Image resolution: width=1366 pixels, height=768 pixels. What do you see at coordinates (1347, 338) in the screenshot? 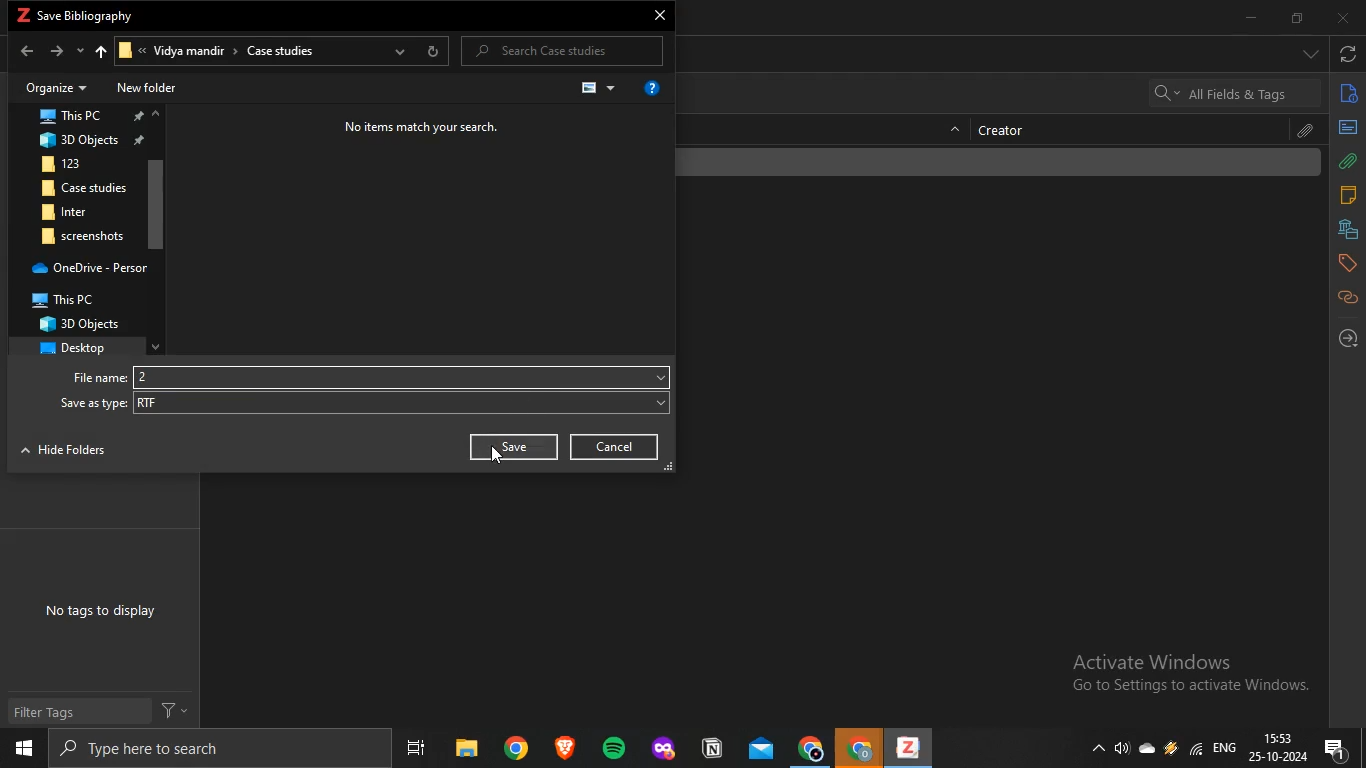
I see `locate` at bounding box center [1347, 338].